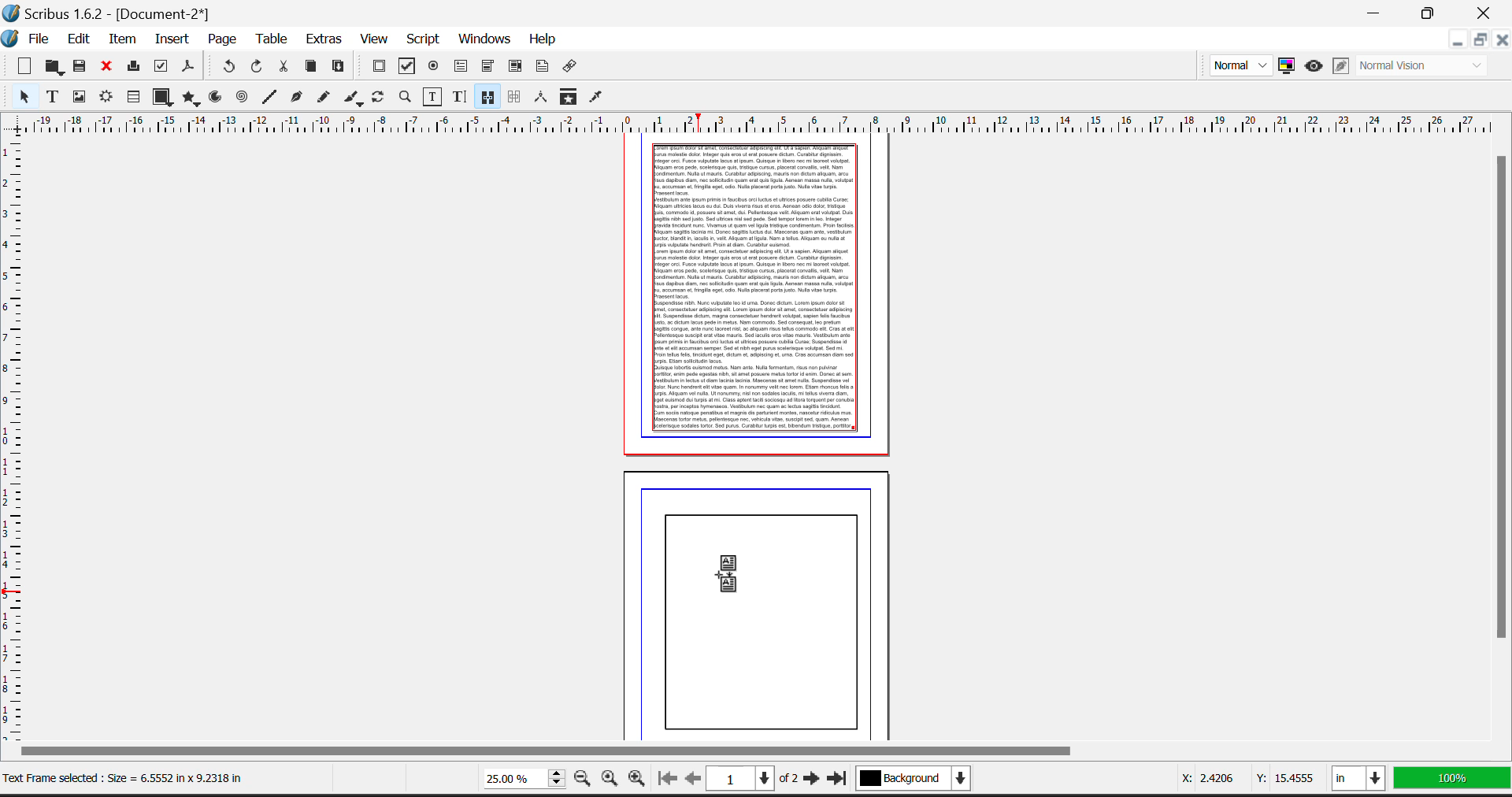 The height and width of the screenshot is (797, 1512). Describe the element at coordinates (1456, 42) in the screenshot. I see `Restore Down` at that location.